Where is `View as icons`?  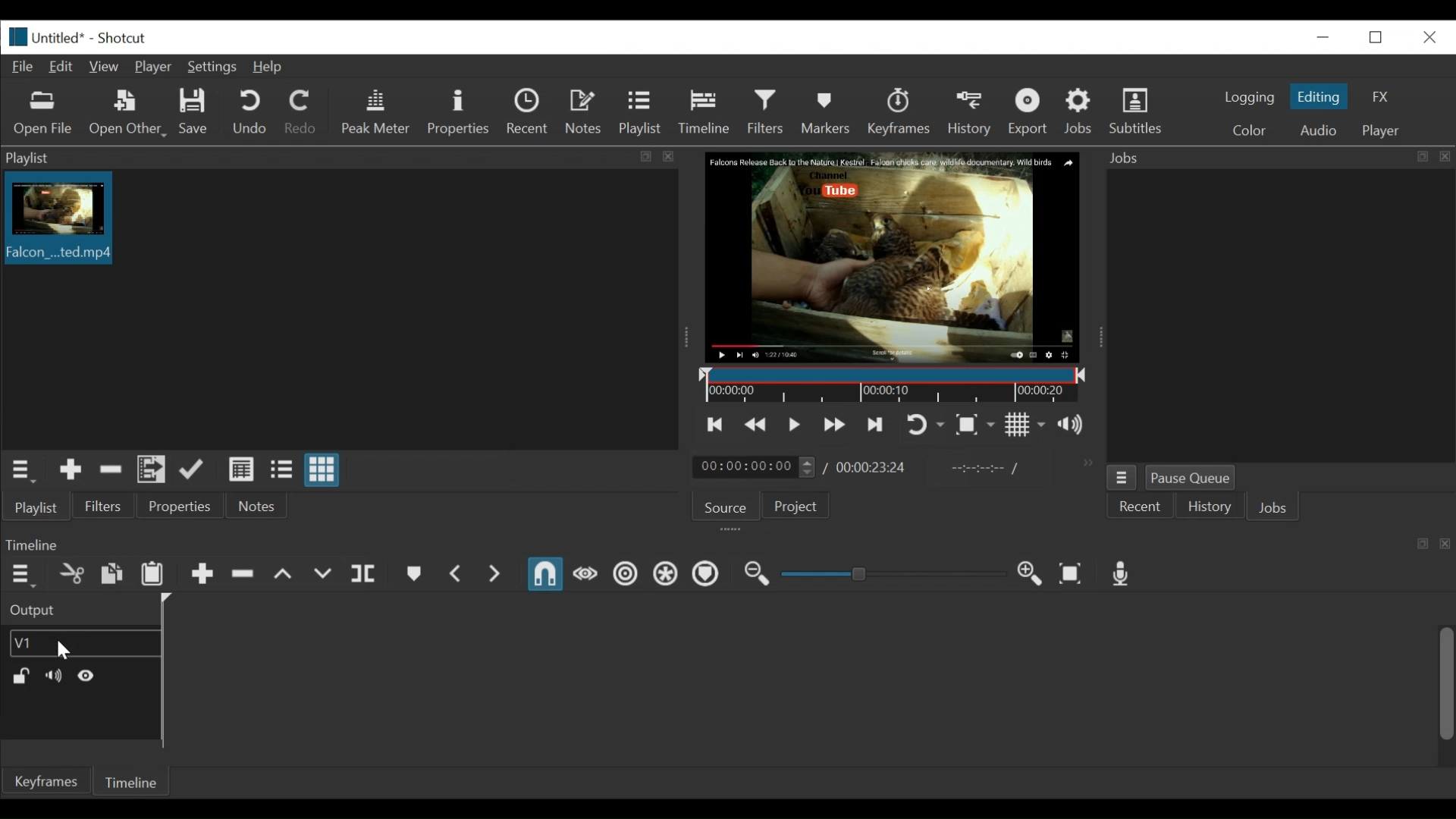 View as icons is located at coordinates (322, 472).